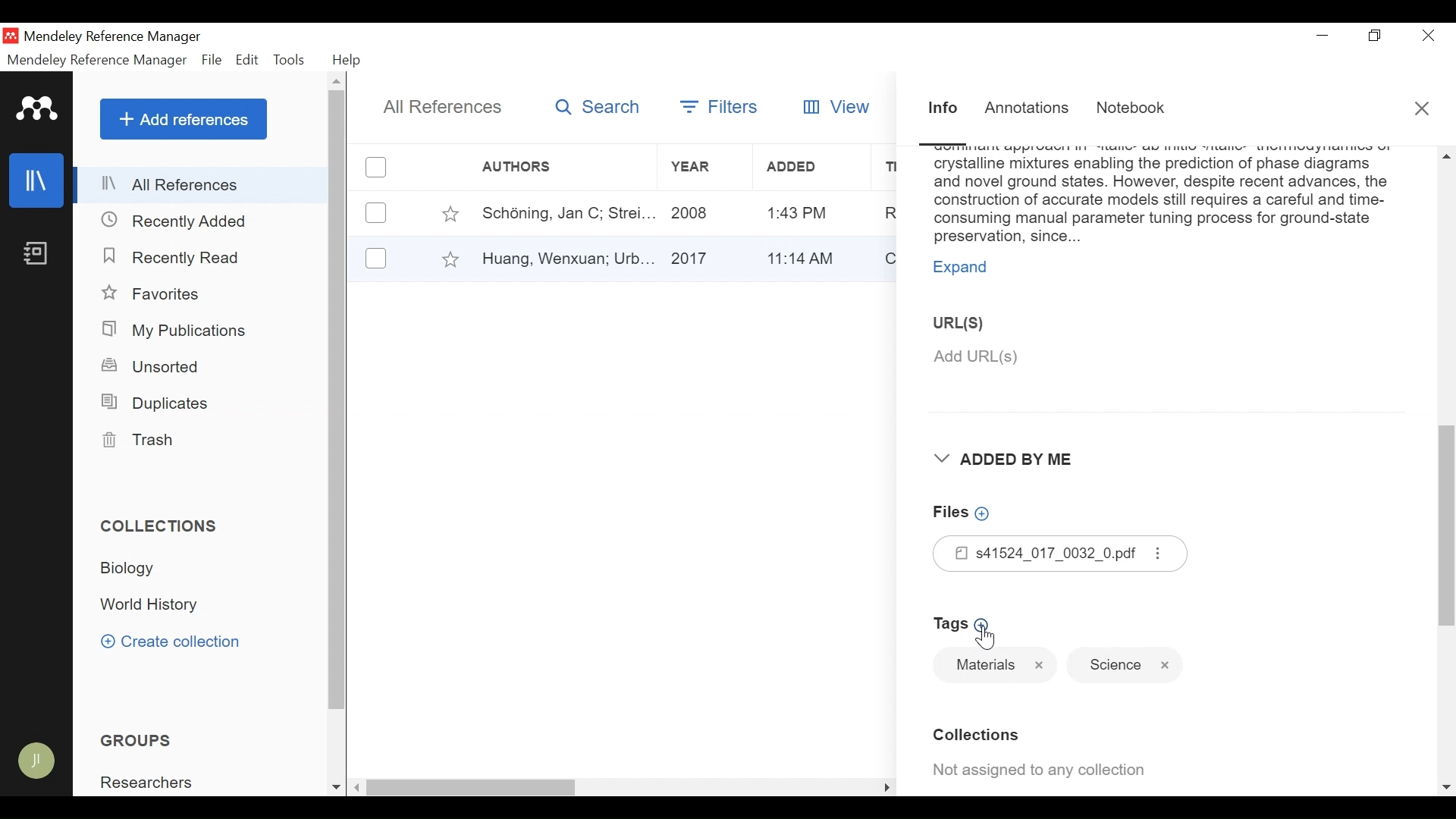 Image resolution: width=1456 pixels, height=819 pixels. I want to click on Annotations, so click(1028, 110).